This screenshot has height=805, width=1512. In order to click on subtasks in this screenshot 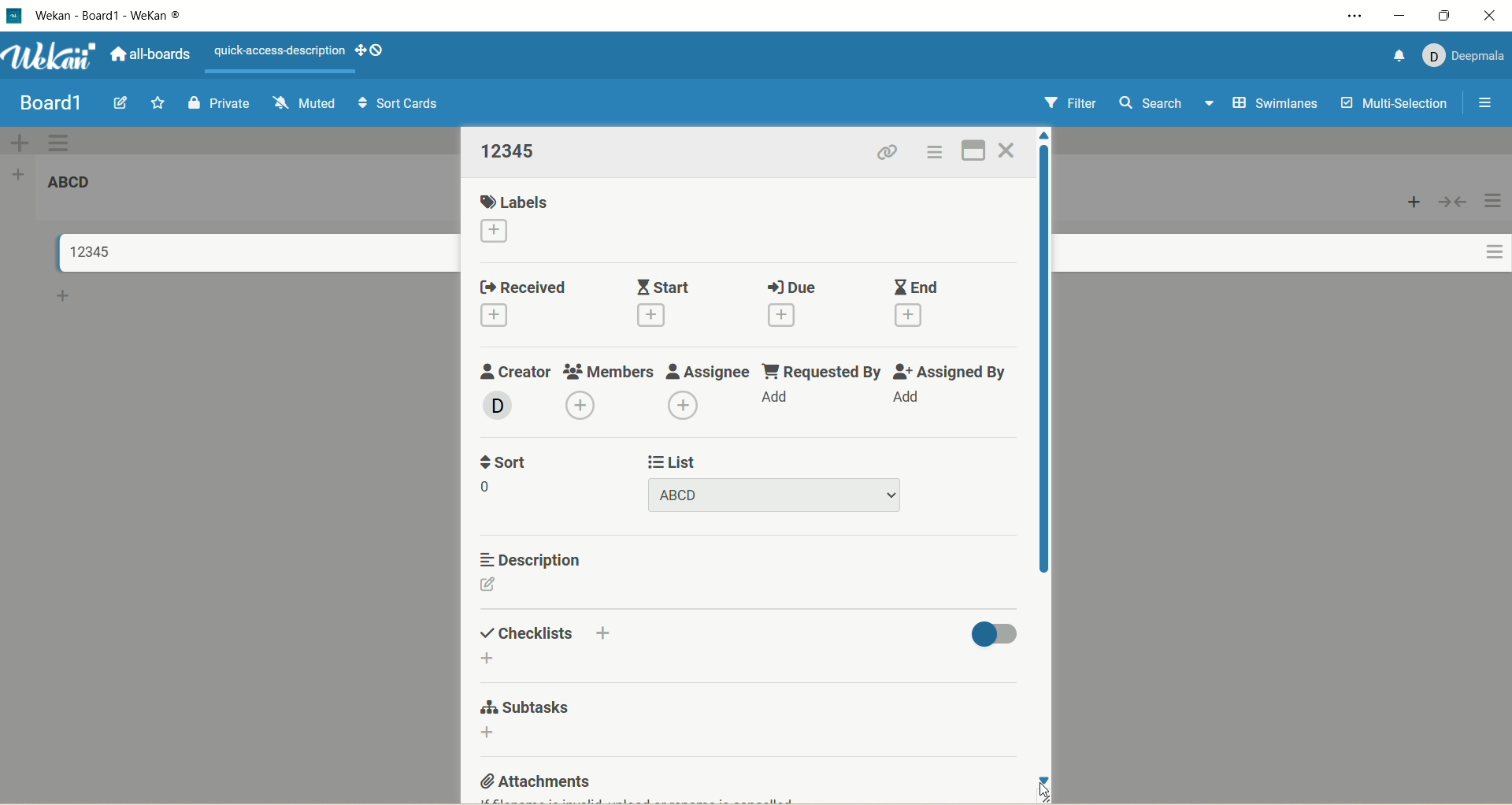, I will do `click(526, 709)`.